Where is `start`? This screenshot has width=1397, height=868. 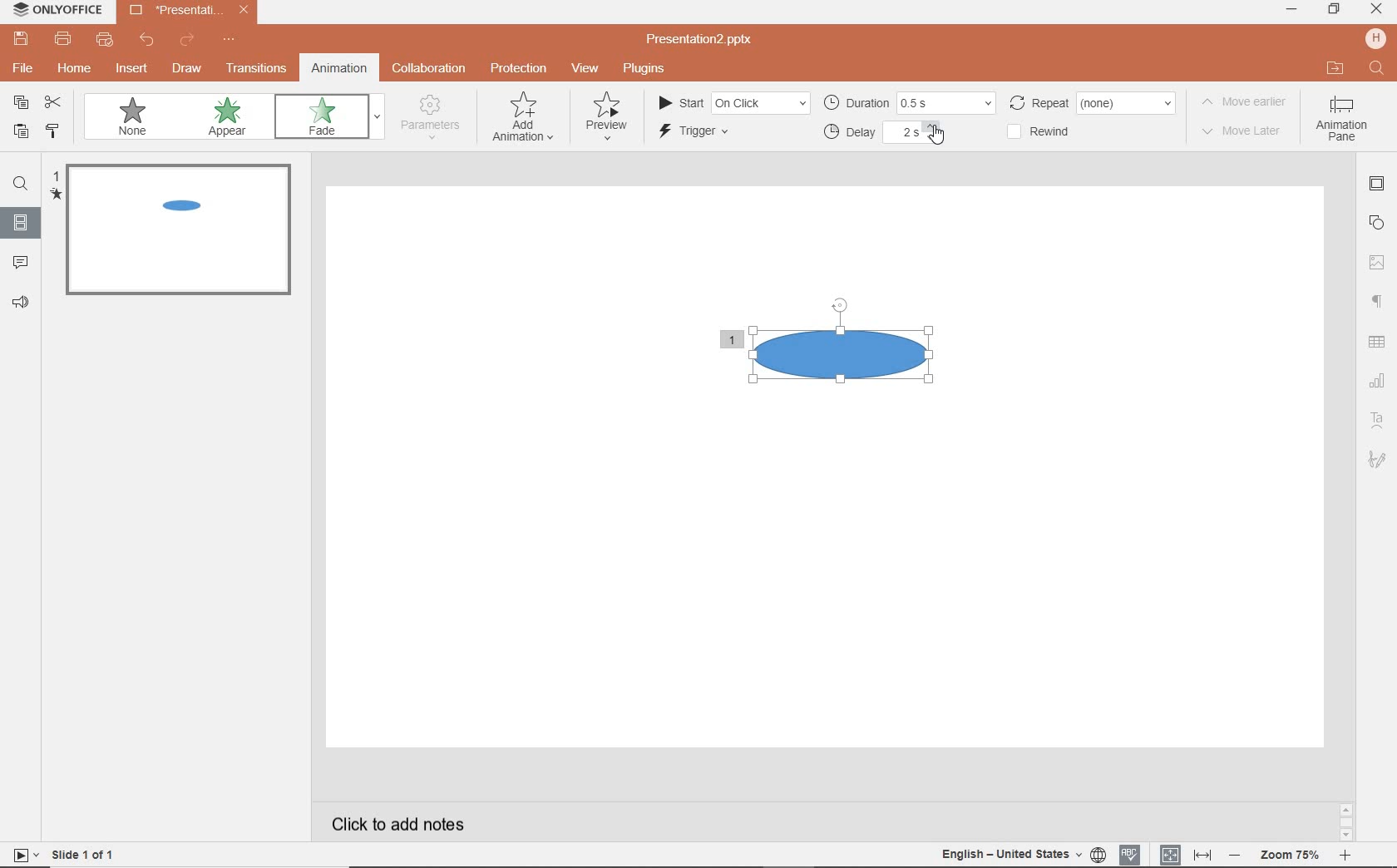
start is located at coordinates (733, 104).